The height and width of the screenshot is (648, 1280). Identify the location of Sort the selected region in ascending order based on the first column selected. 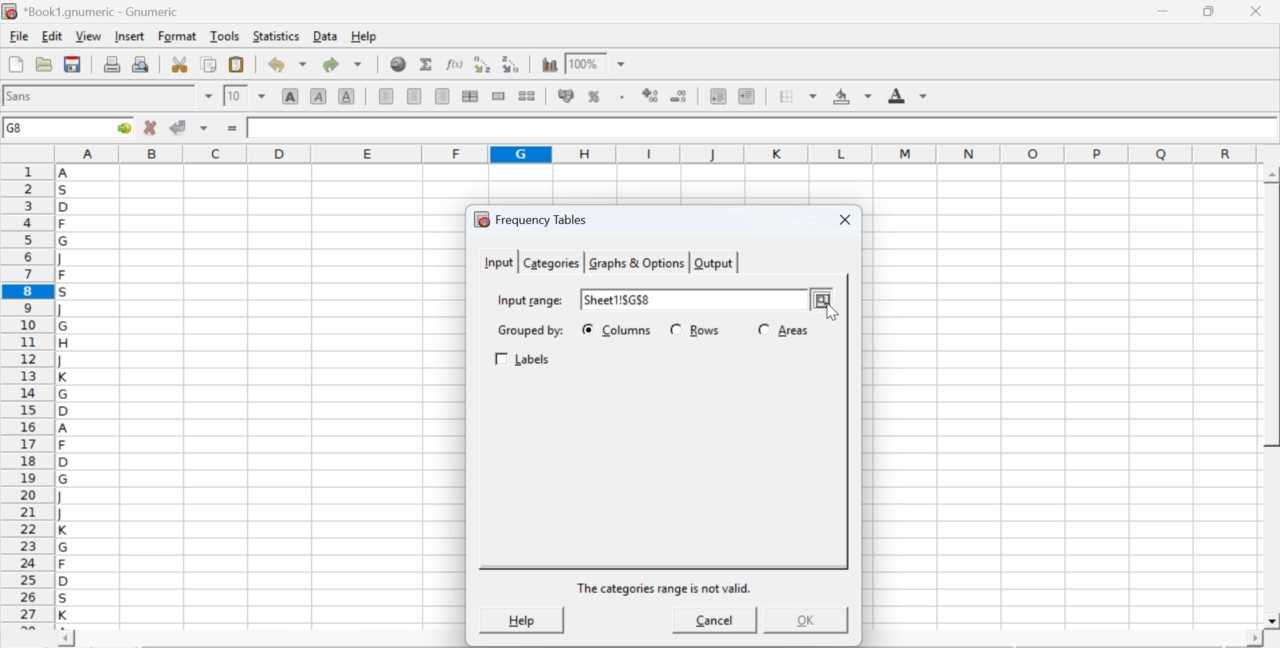
(485, 64).